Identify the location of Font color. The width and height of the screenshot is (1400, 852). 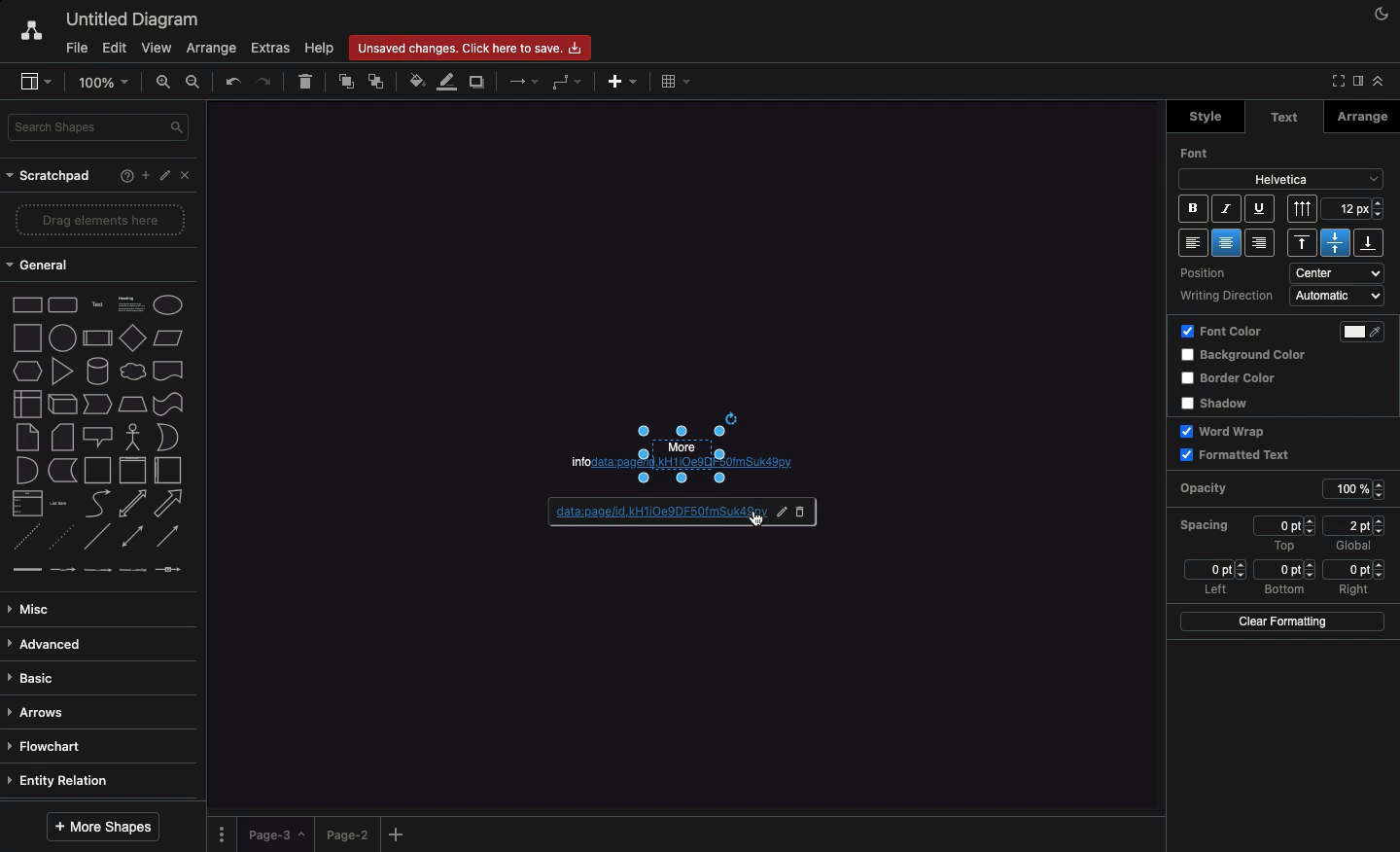
(1369, 332).